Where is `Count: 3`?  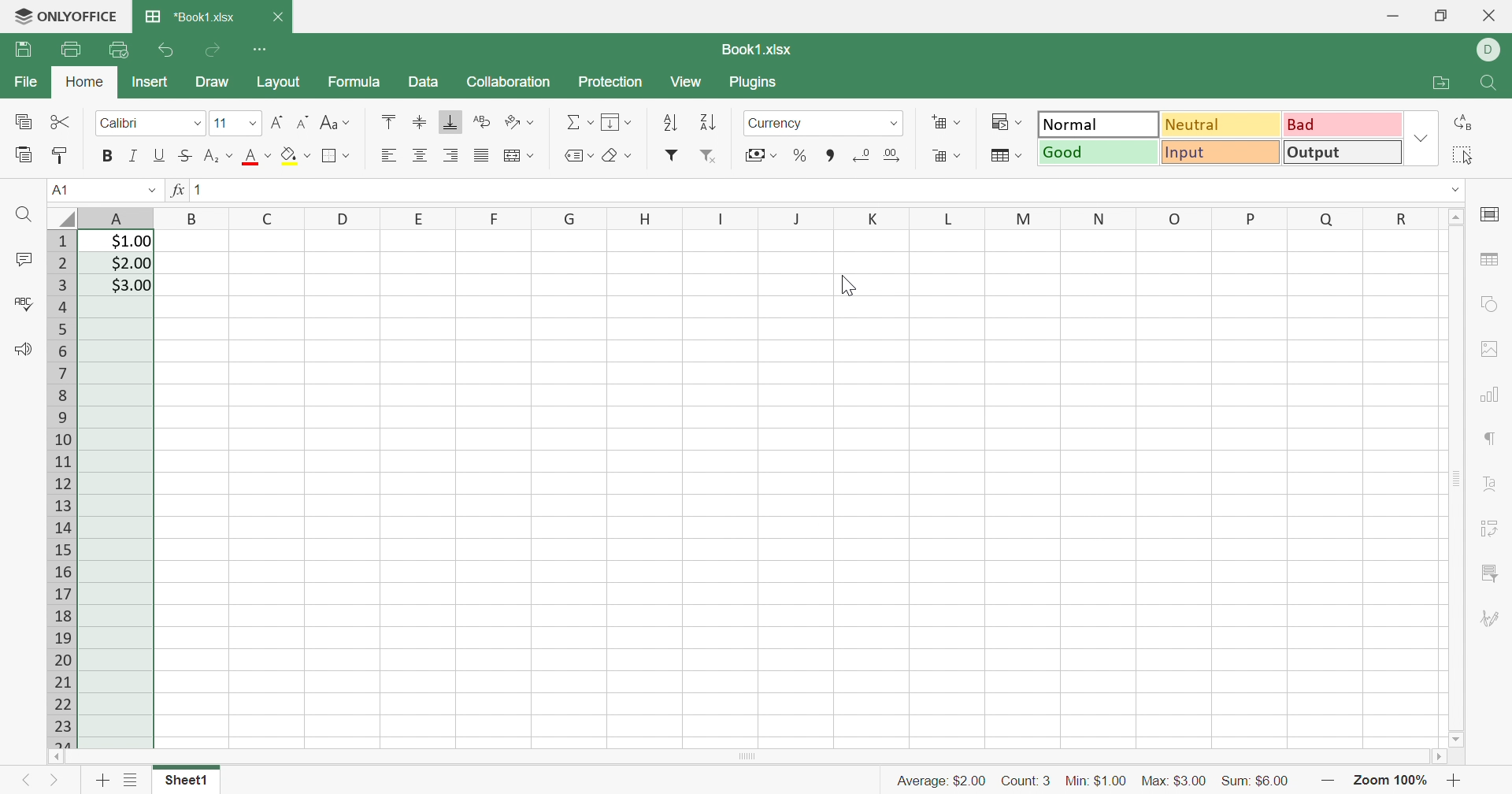 Count: 3 is located at coordinates (1026, 780).